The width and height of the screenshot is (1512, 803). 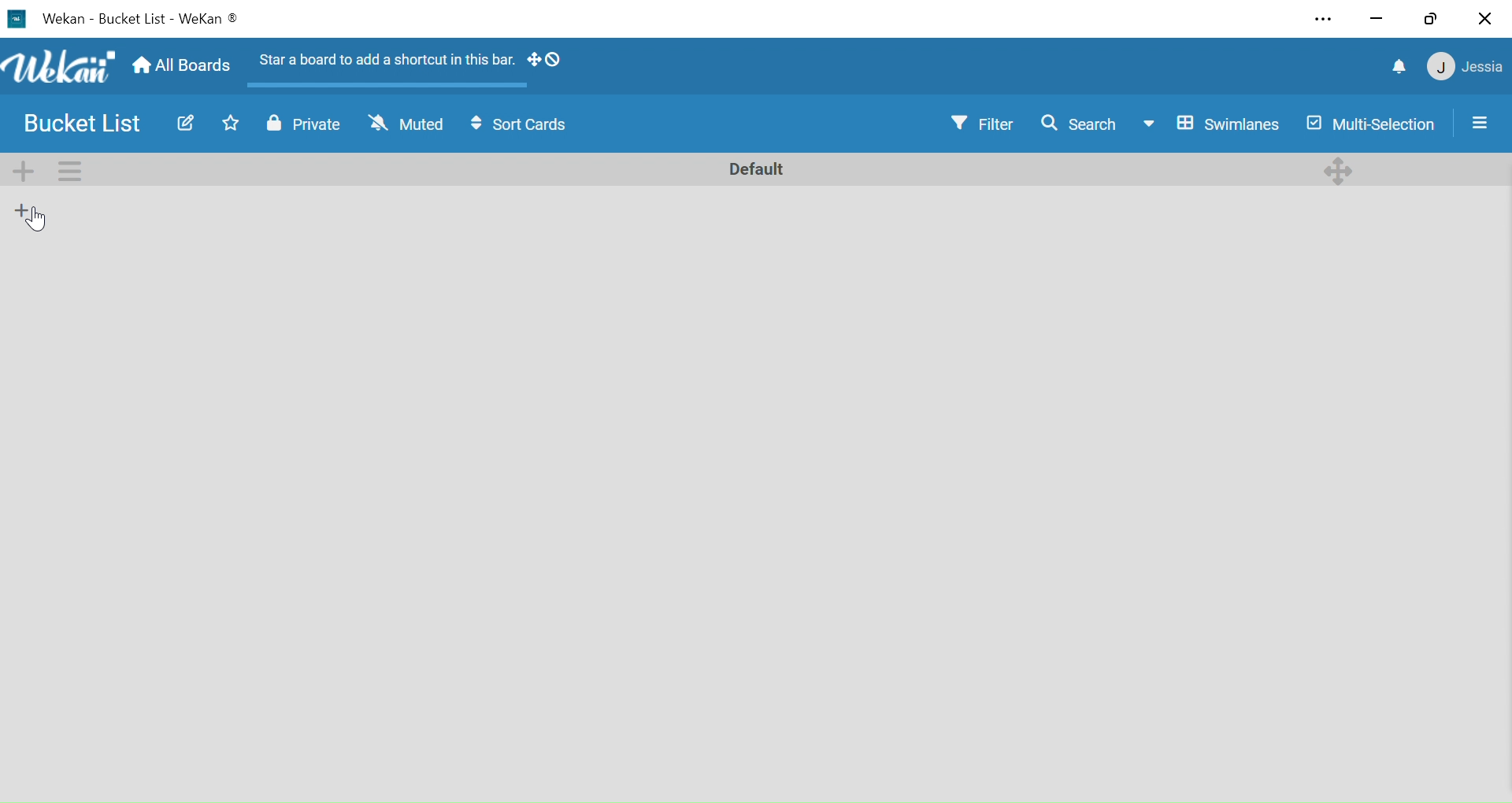 I want to click on Edit, so click(x=183, y=123).